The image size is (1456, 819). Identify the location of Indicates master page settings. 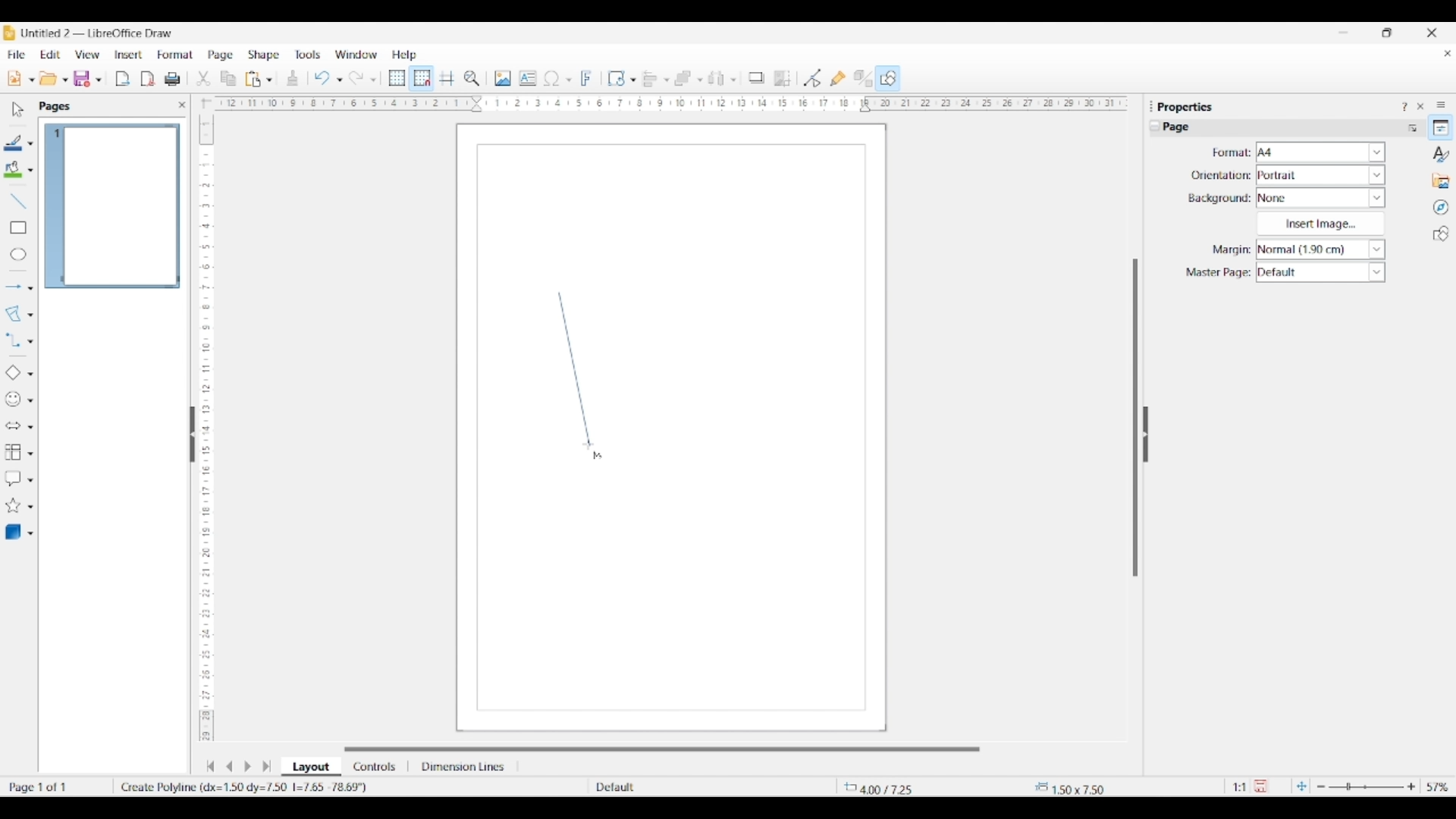
(1217, 273).